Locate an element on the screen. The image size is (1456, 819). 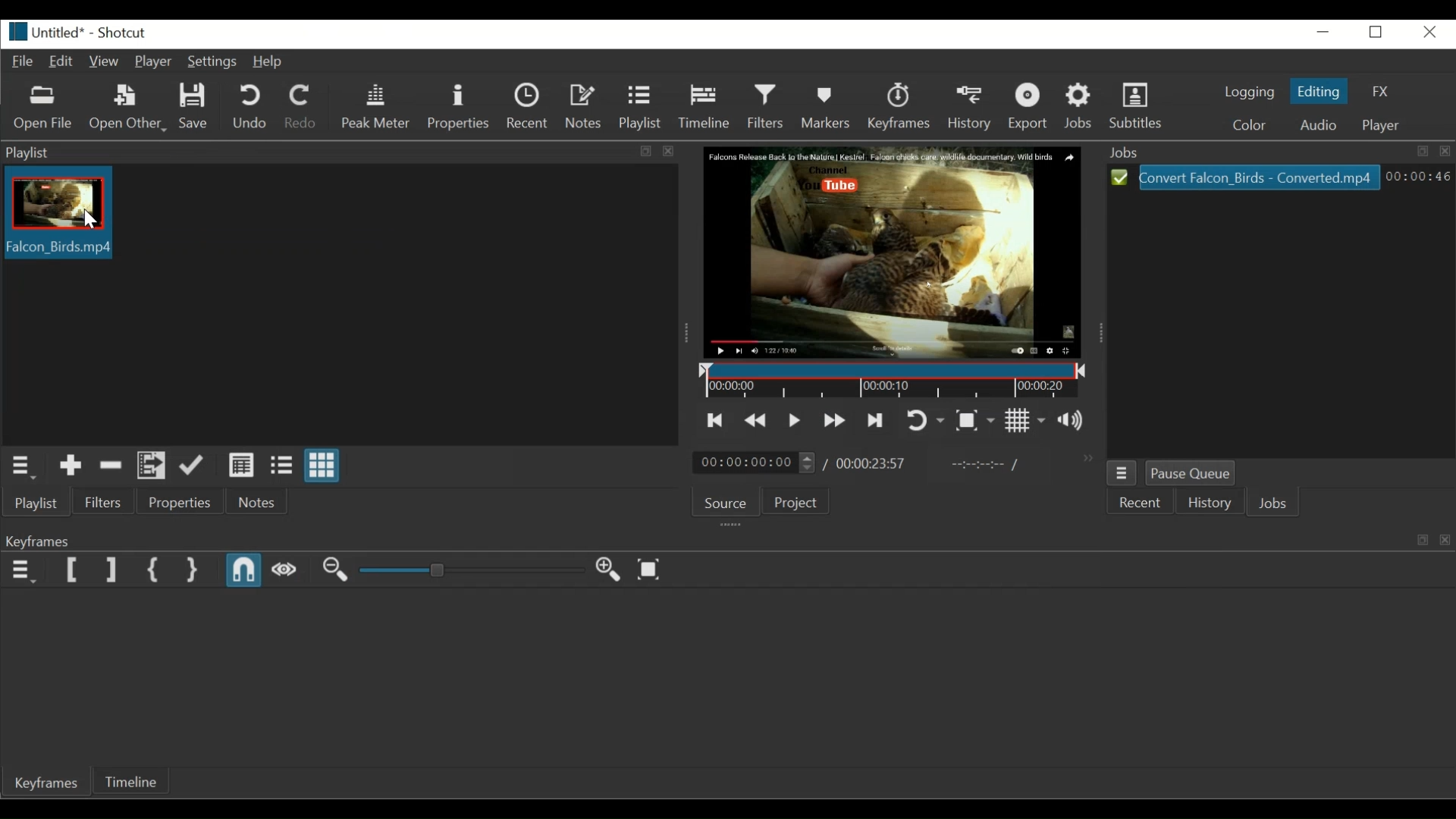
Playlist menu is located at coordinates (28, 466).